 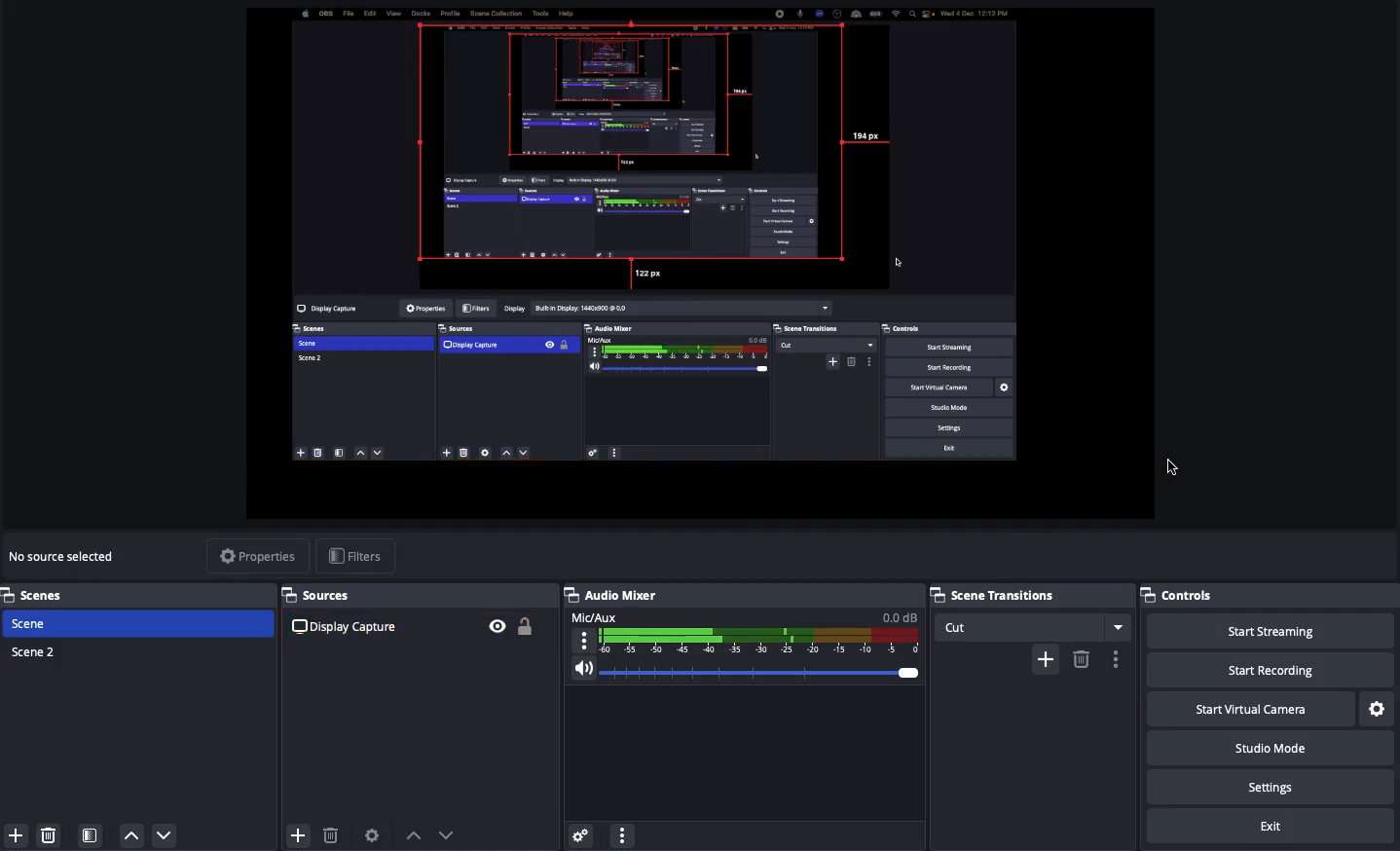 What do you see at coordinates (252, 556) in the screenshot?
I see `Properties` at bounding box center [252, 556].